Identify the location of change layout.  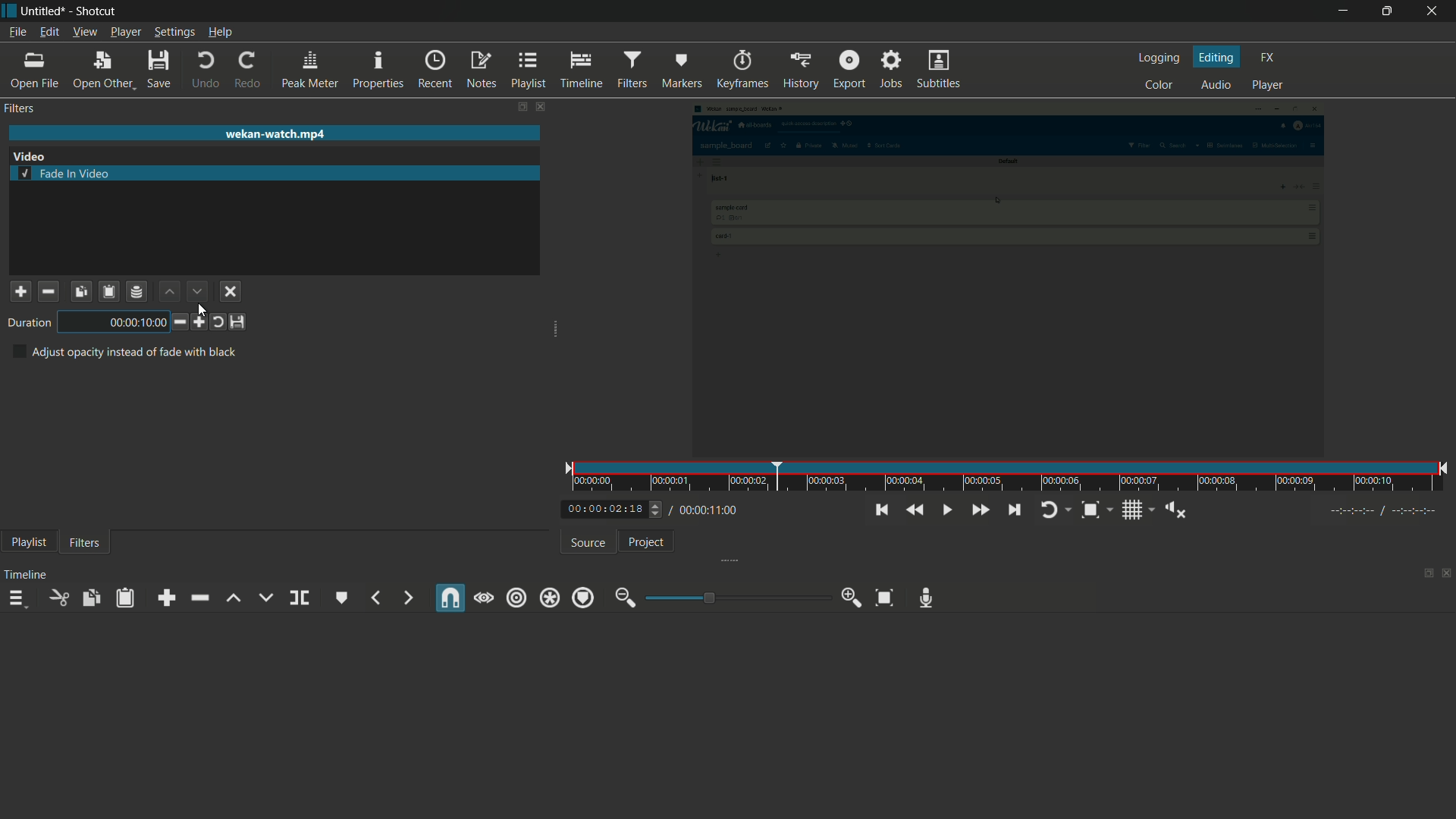
(519, 107).